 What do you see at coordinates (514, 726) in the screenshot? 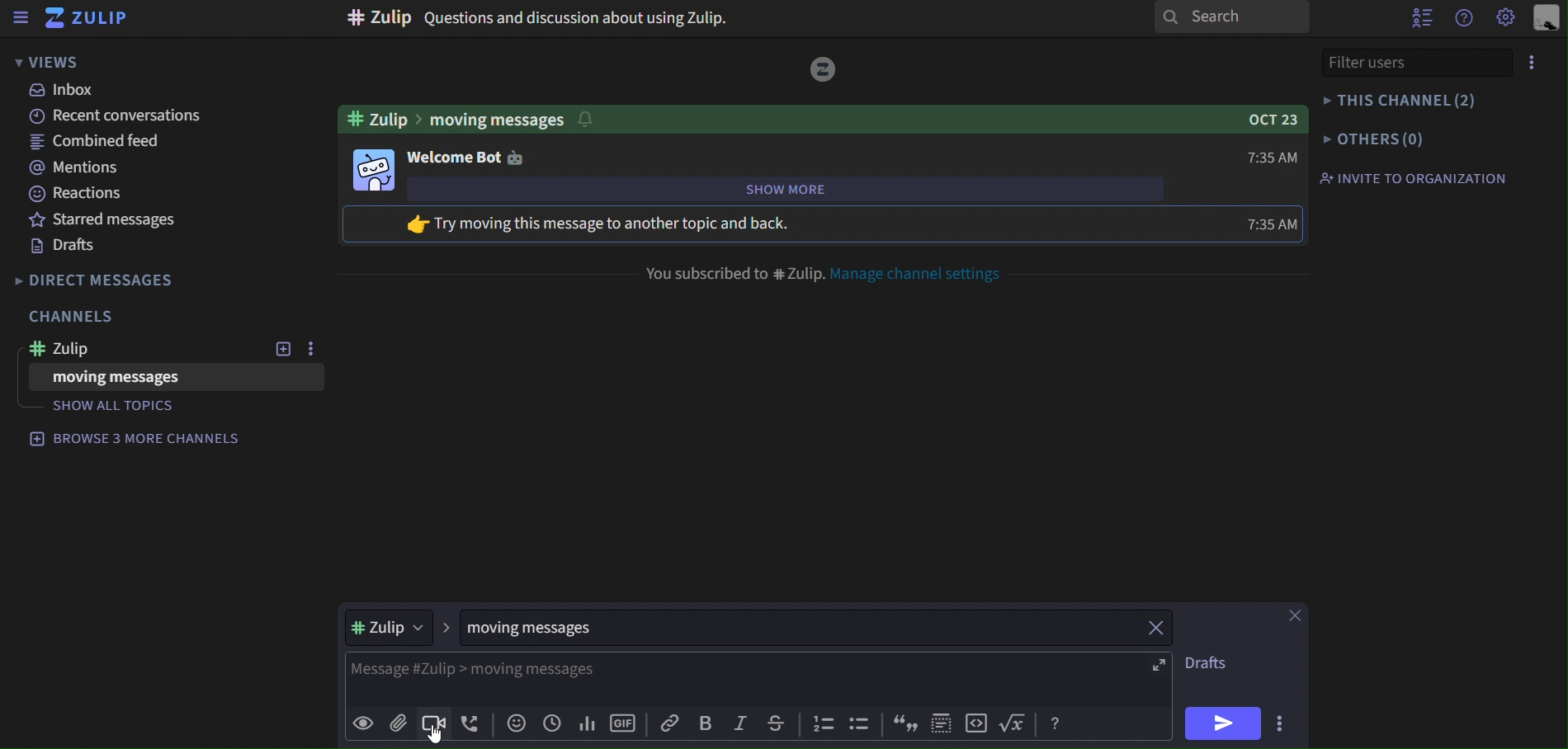
I see `add empji` at bounding box center [514, 726].